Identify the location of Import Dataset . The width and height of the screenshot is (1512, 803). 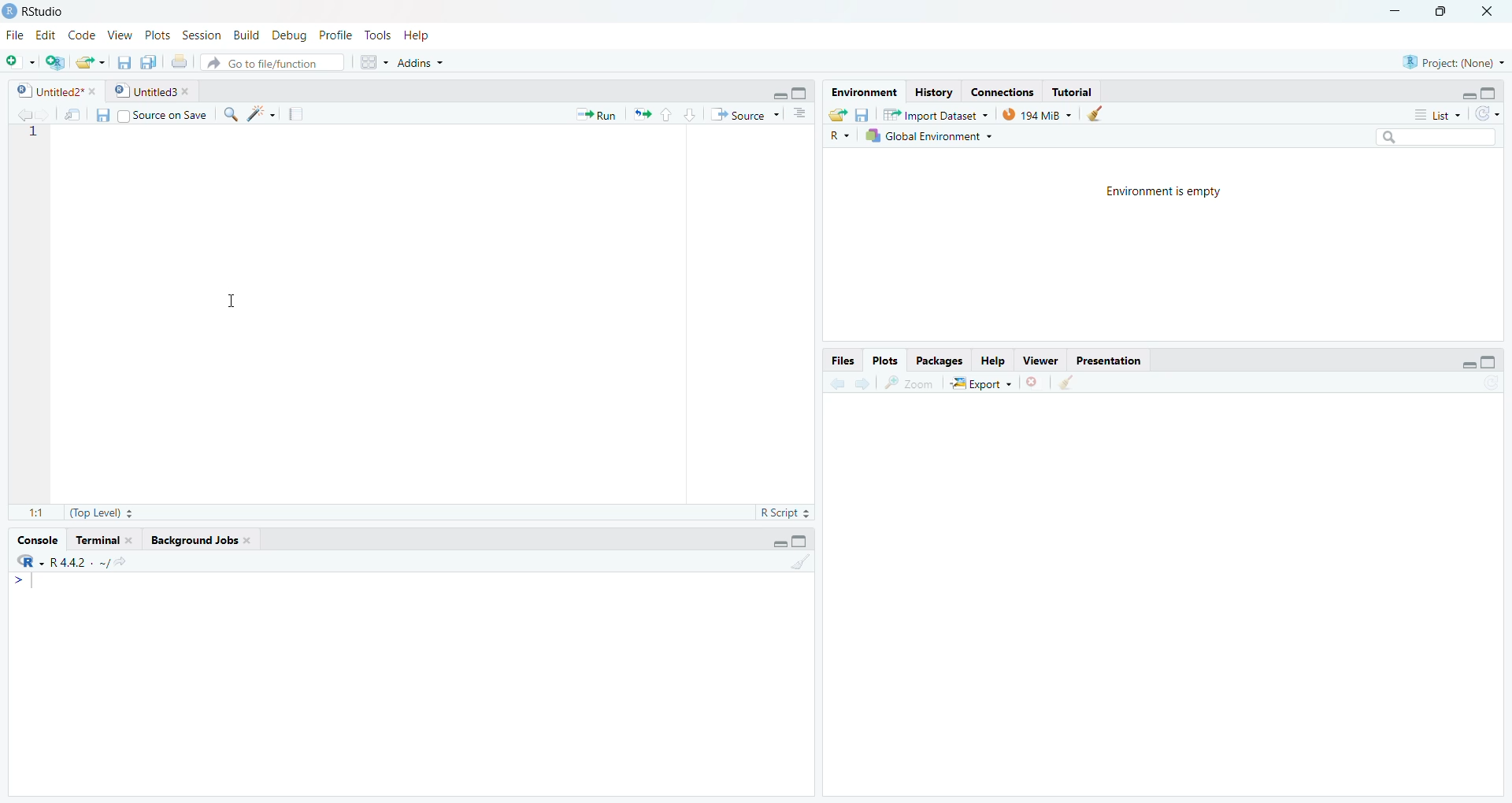
(939, 113).